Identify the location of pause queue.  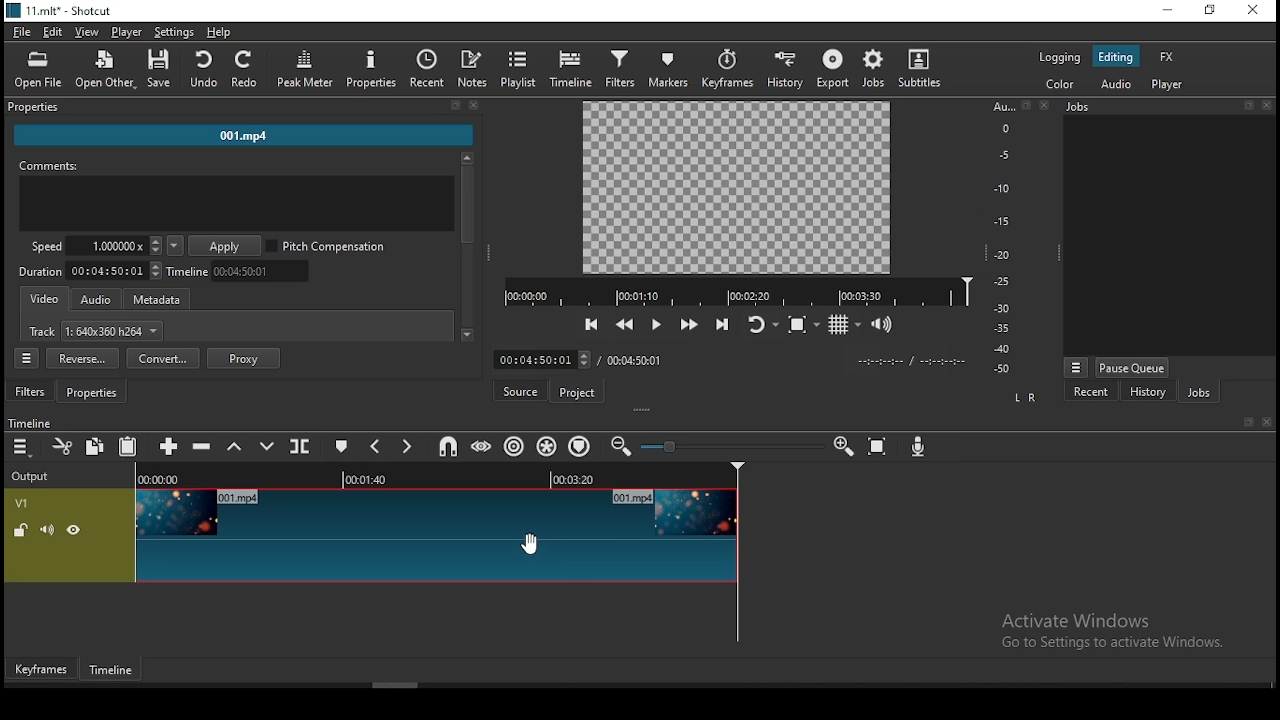
(1132, 368).